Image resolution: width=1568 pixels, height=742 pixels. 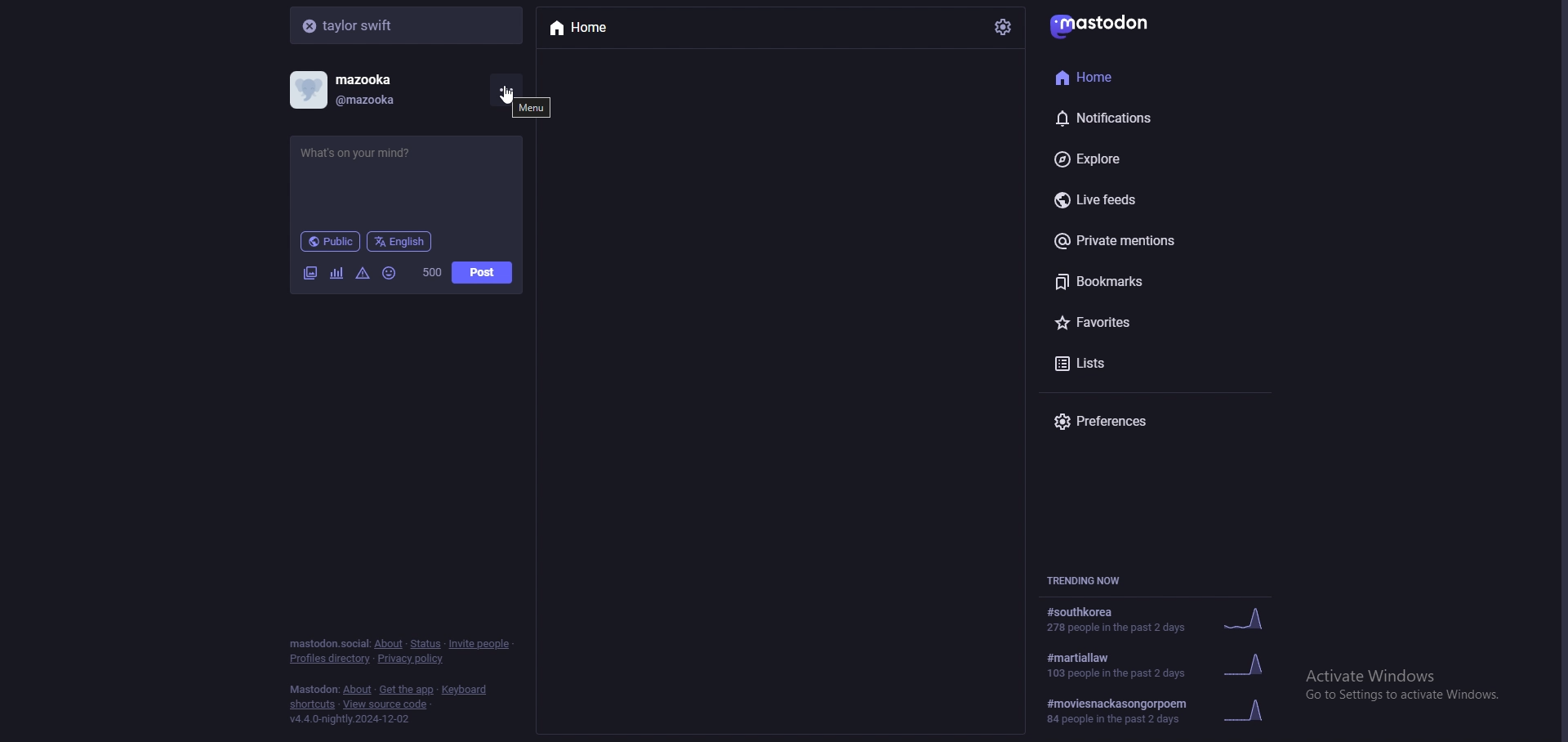 I want to click on mastodon, so click(x=328, y=643).